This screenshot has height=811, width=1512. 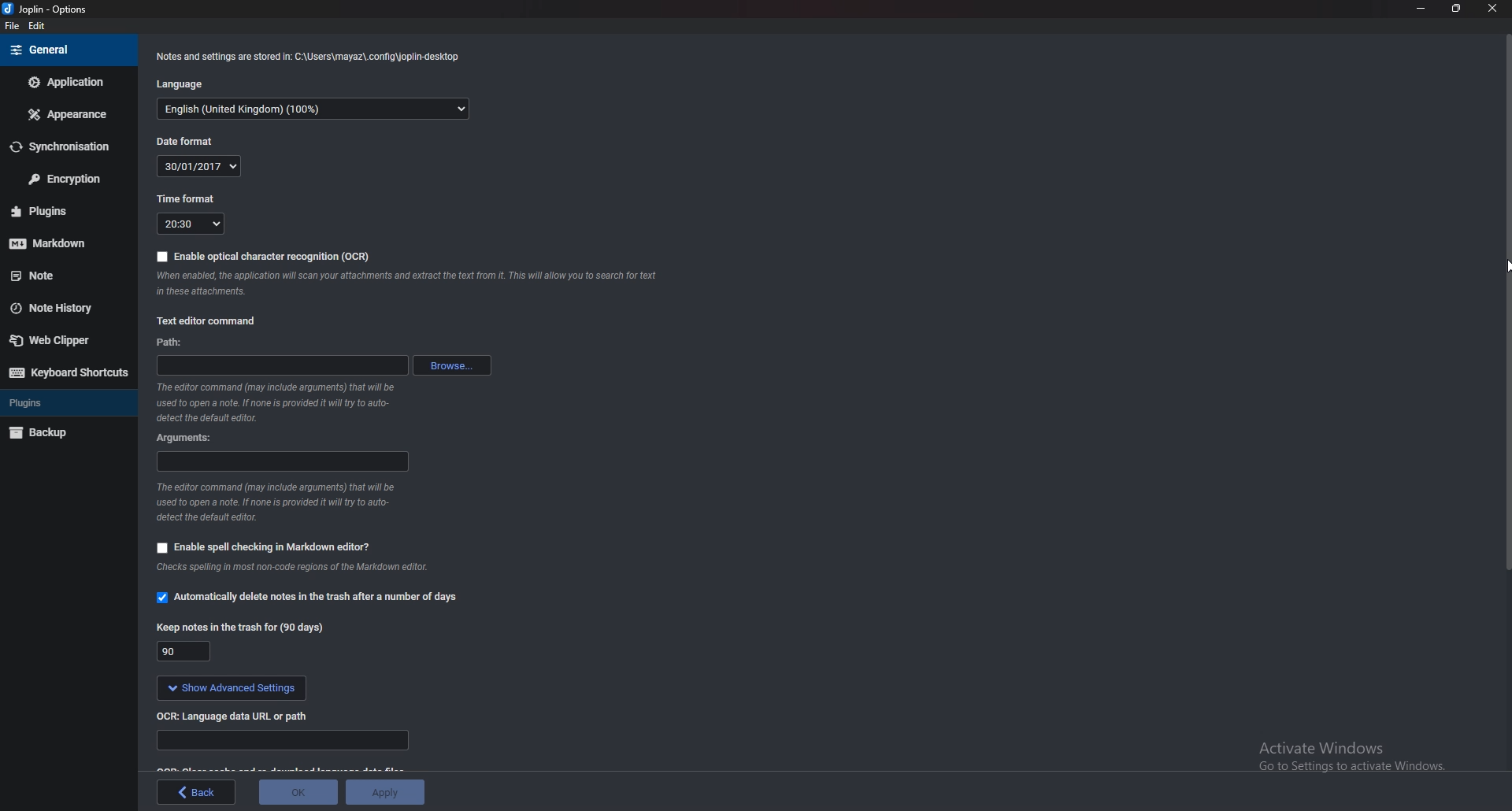 What do you see at coordinates (38, 26) in the screenshot?
I see `Edit` at bounding box center [38, 26].